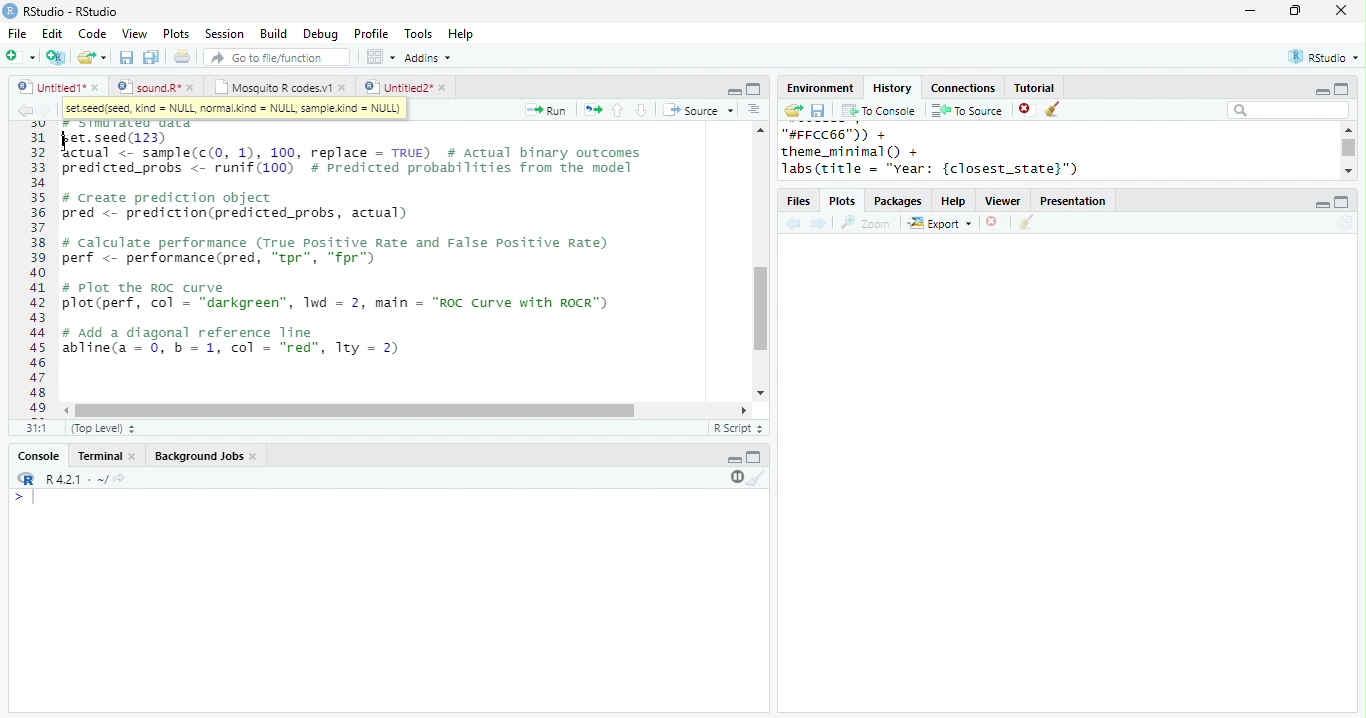  What do you see at coordinates (36, 427) in the screenshot?
I see `31:1` at bounding box center [36, 427].